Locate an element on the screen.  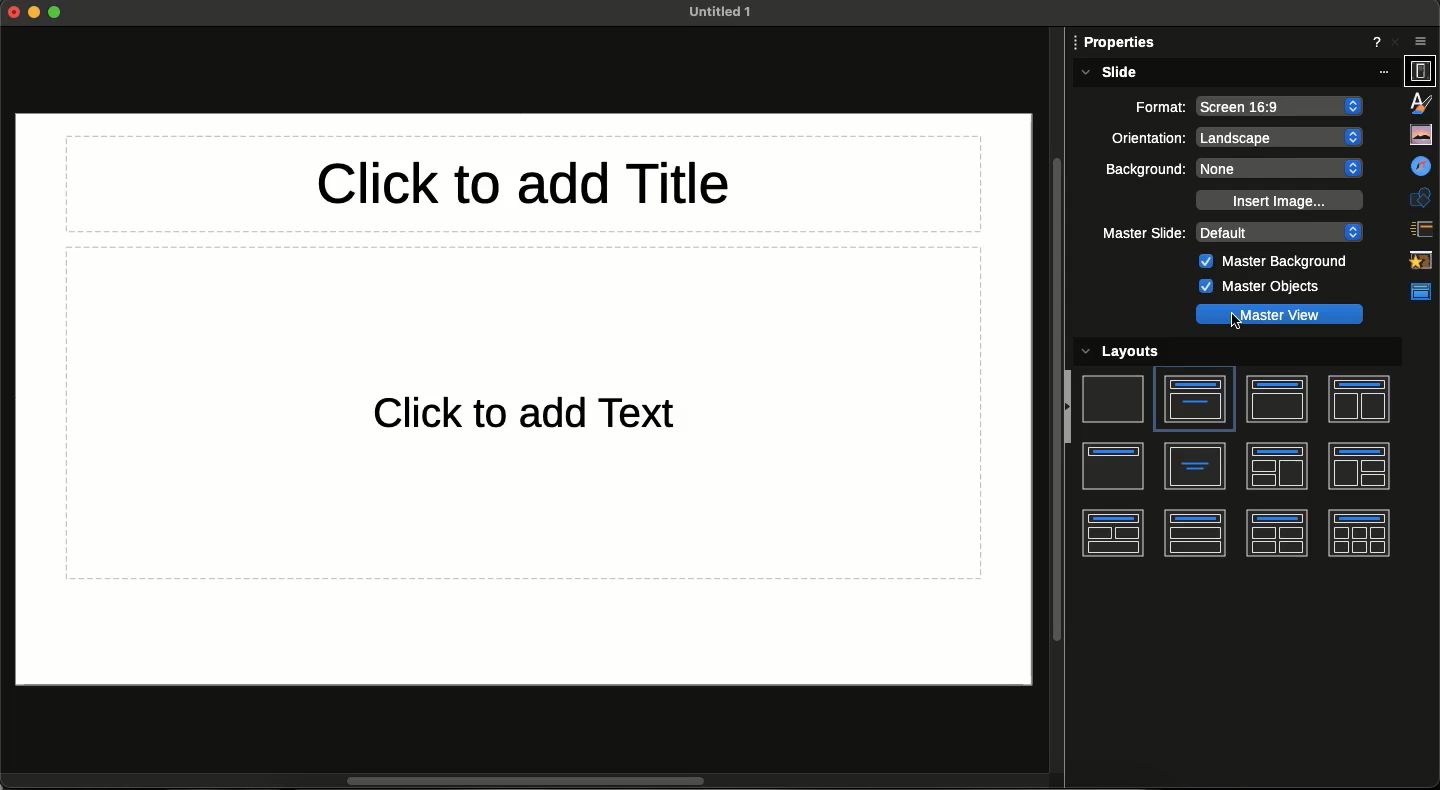
Minimize is located at coordinates (35, 14).